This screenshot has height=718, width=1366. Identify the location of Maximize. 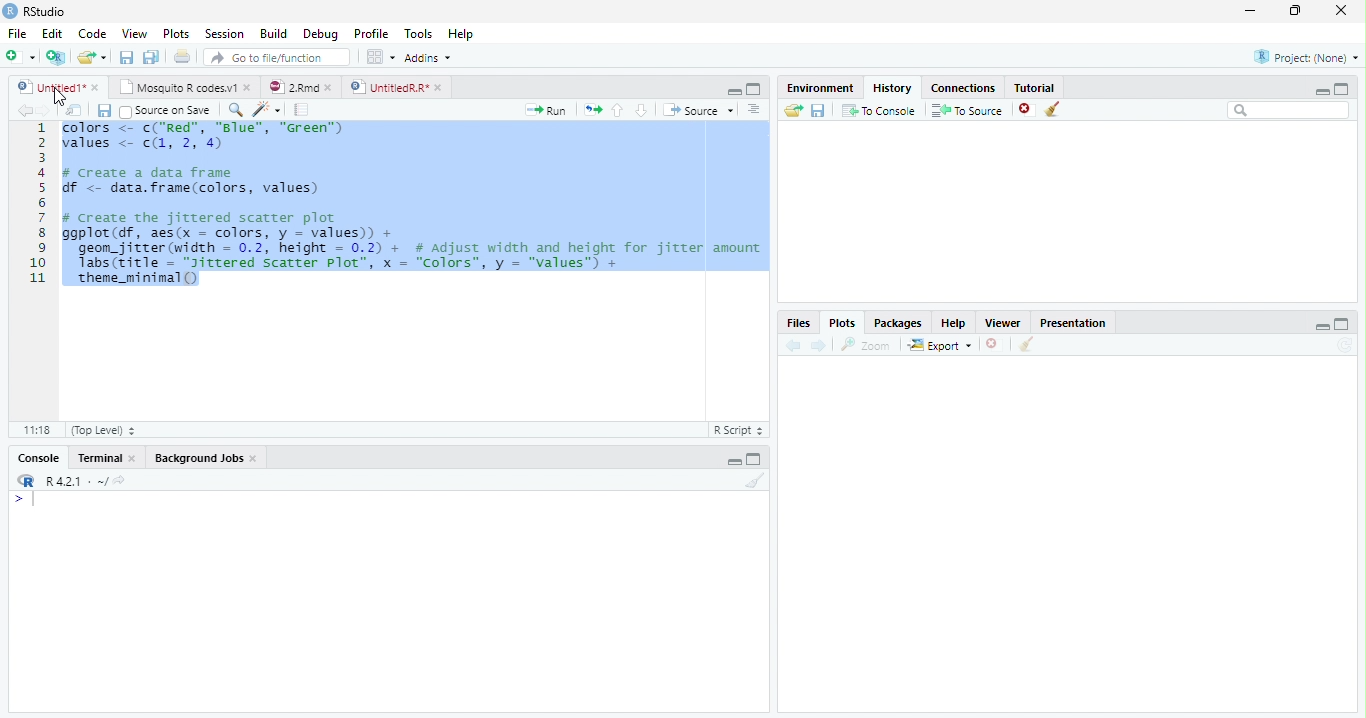
(1342, 324).